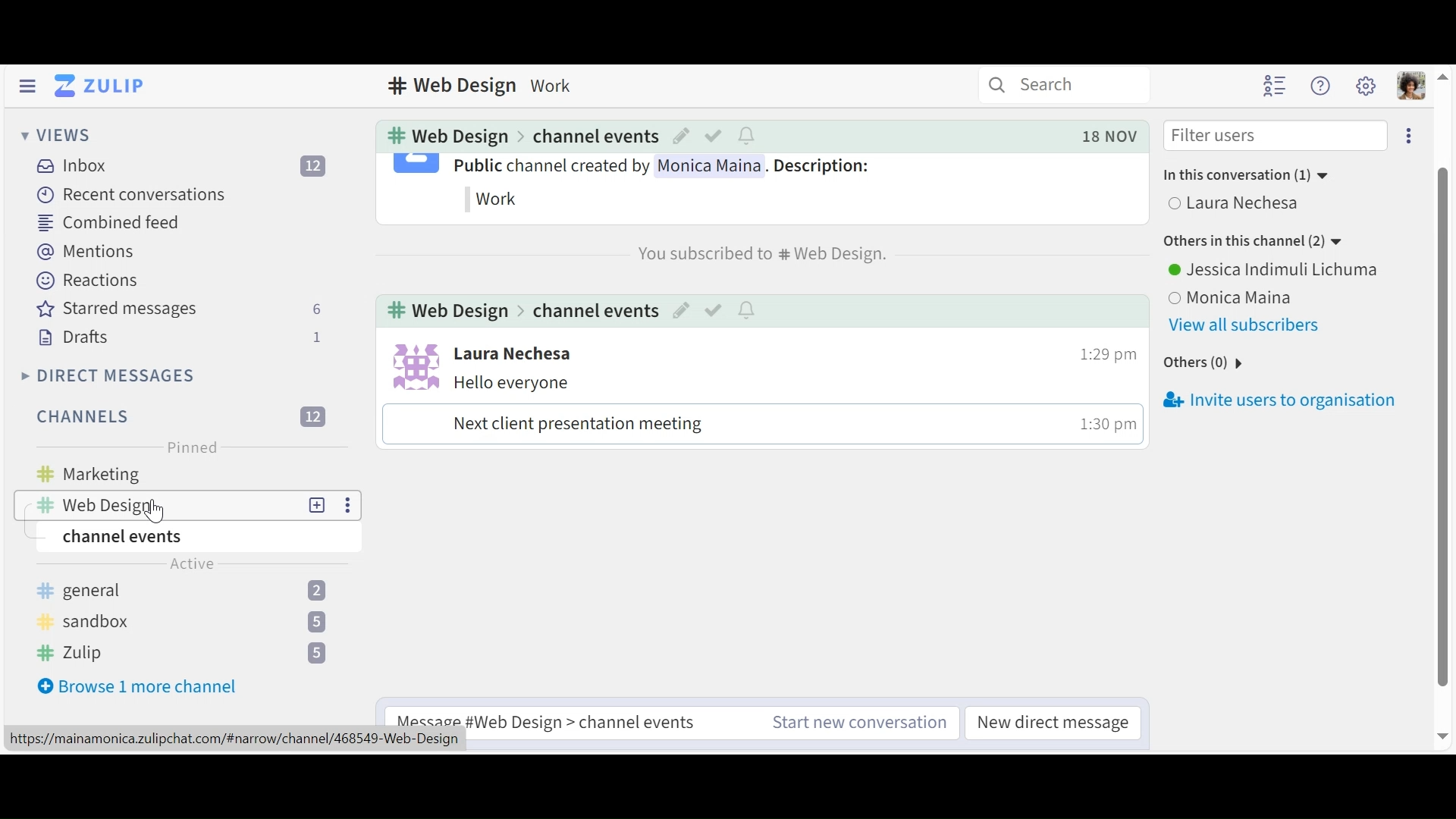  Describe the element at coordinates (1057, 722) in the screenshot. I see `New direct messages` at that location.